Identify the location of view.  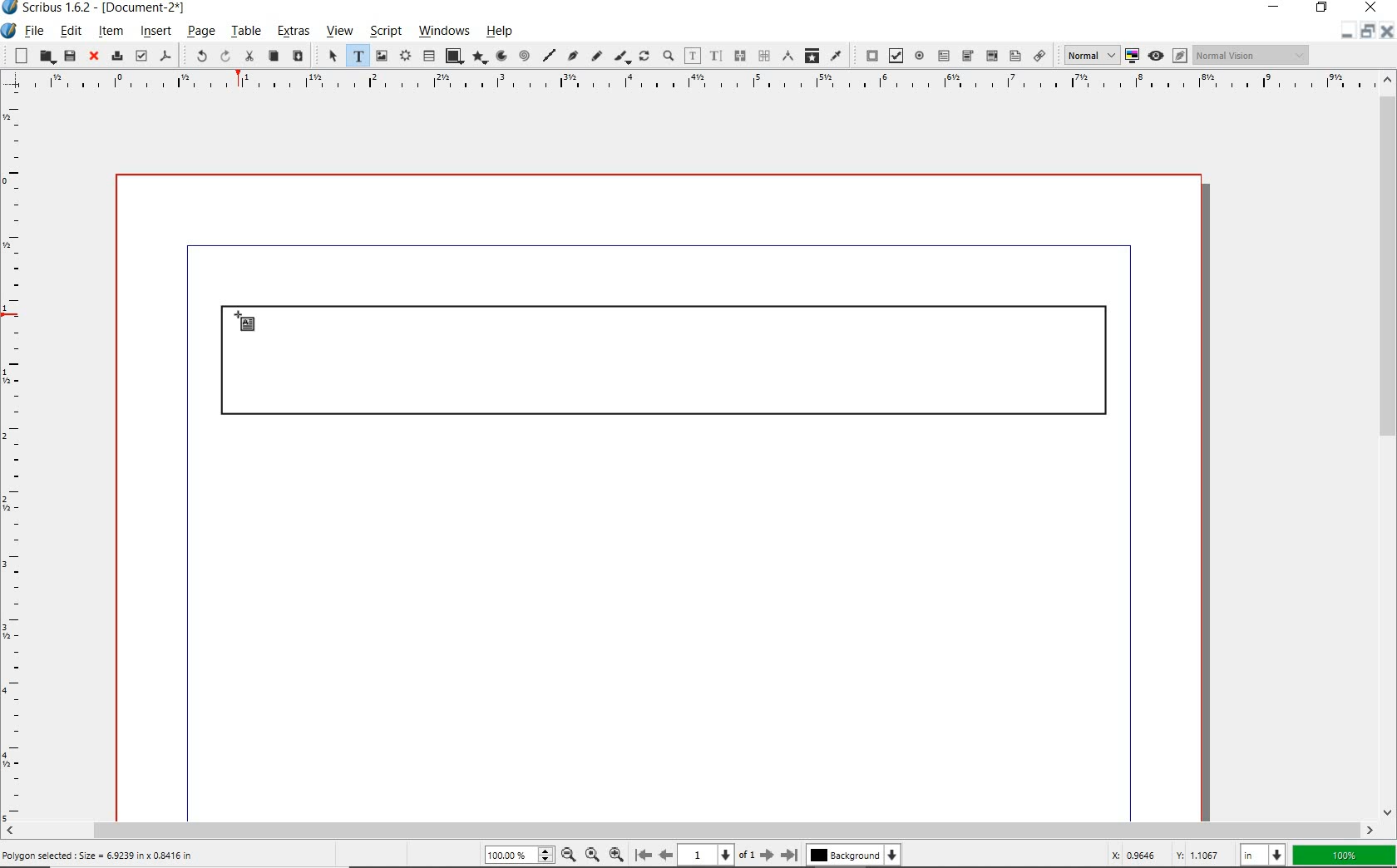
(341, 32).